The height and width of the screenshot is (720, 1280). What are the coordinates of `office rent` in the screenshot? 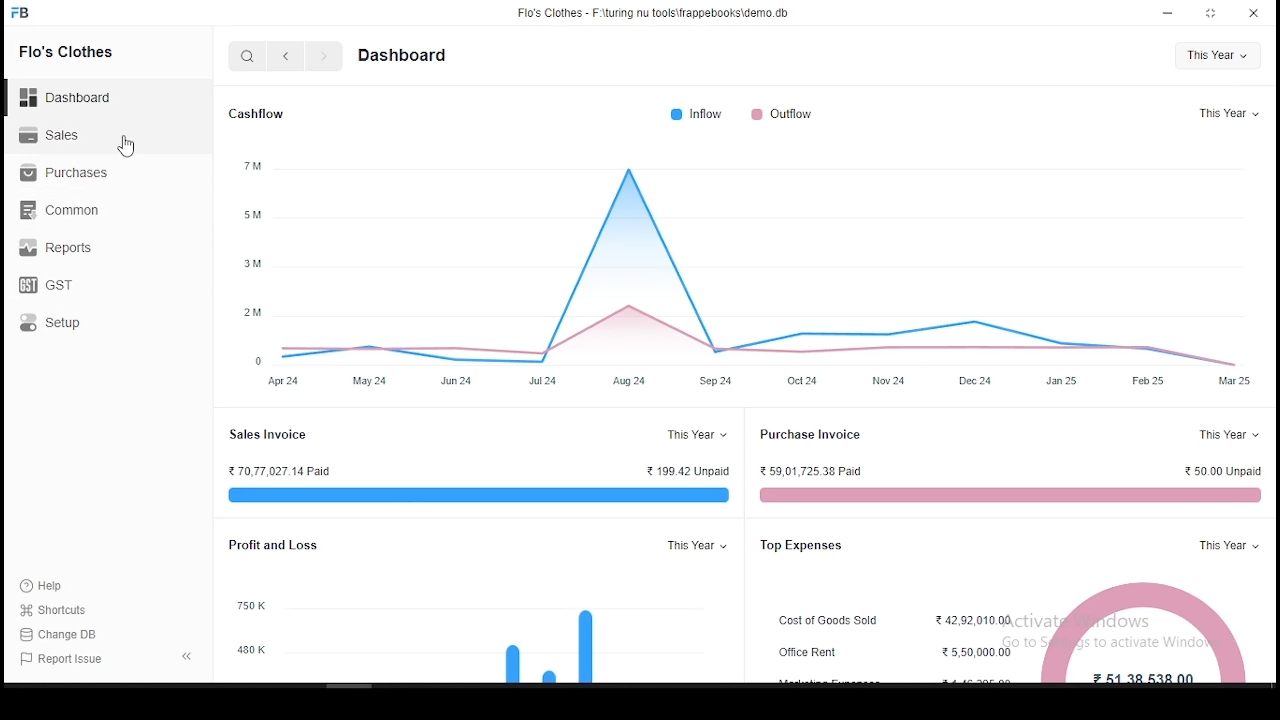 It's located at (814, 655).